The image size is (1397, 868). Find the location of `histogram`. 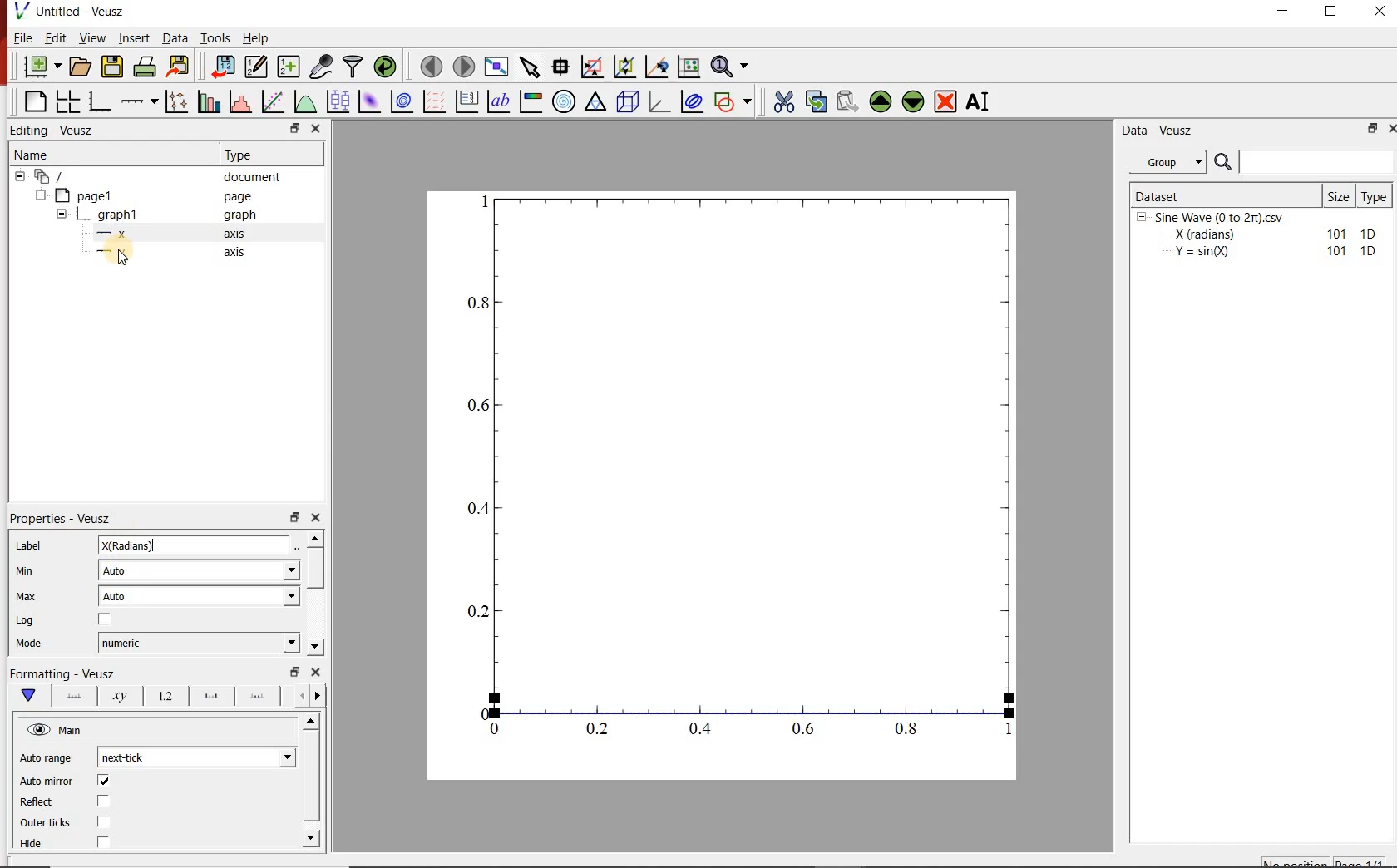

histogram is located at coordinates (242, 101).